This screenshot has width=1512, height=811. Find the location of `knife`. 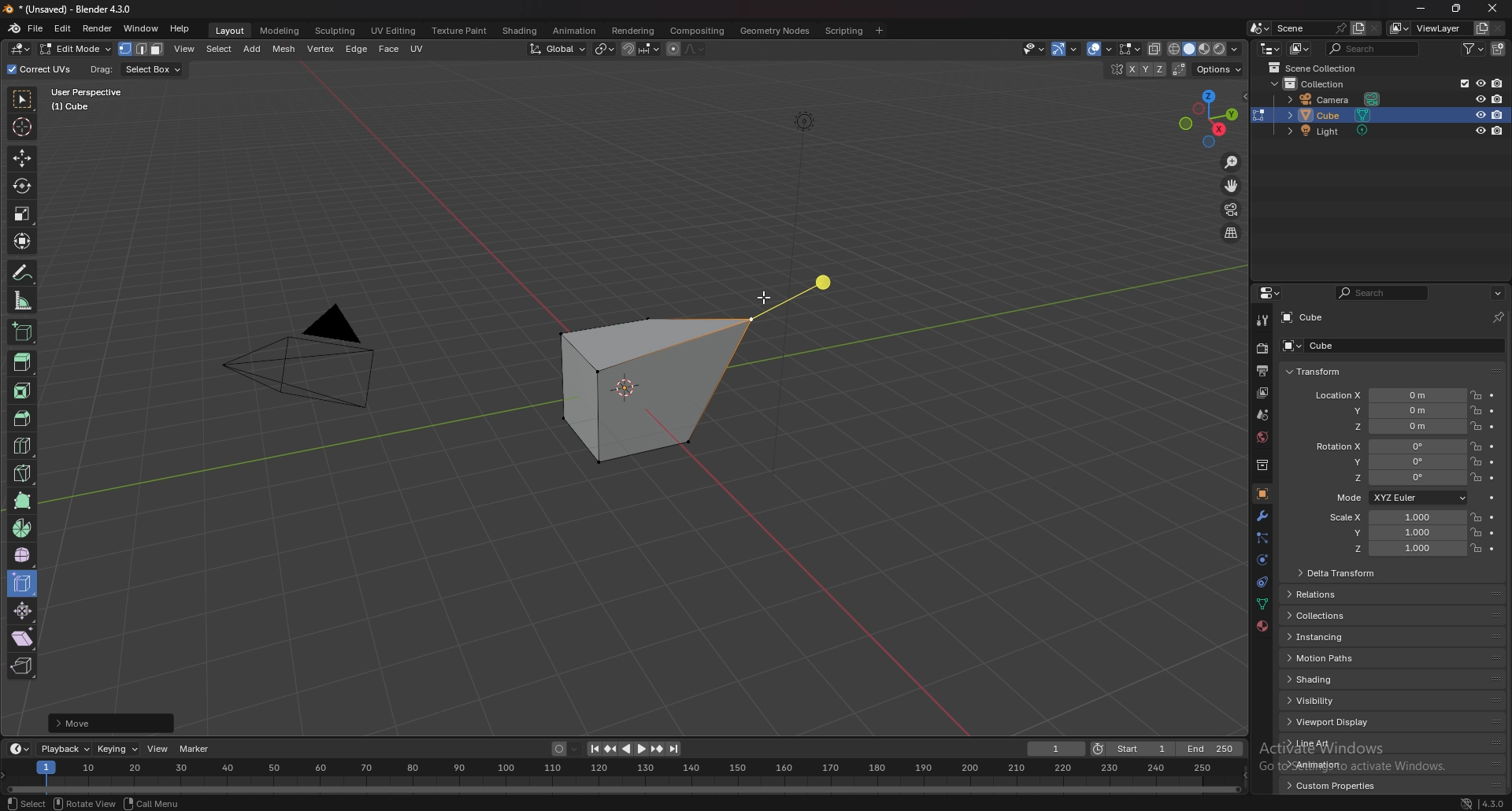

knife is located at coordinates (22, 472).